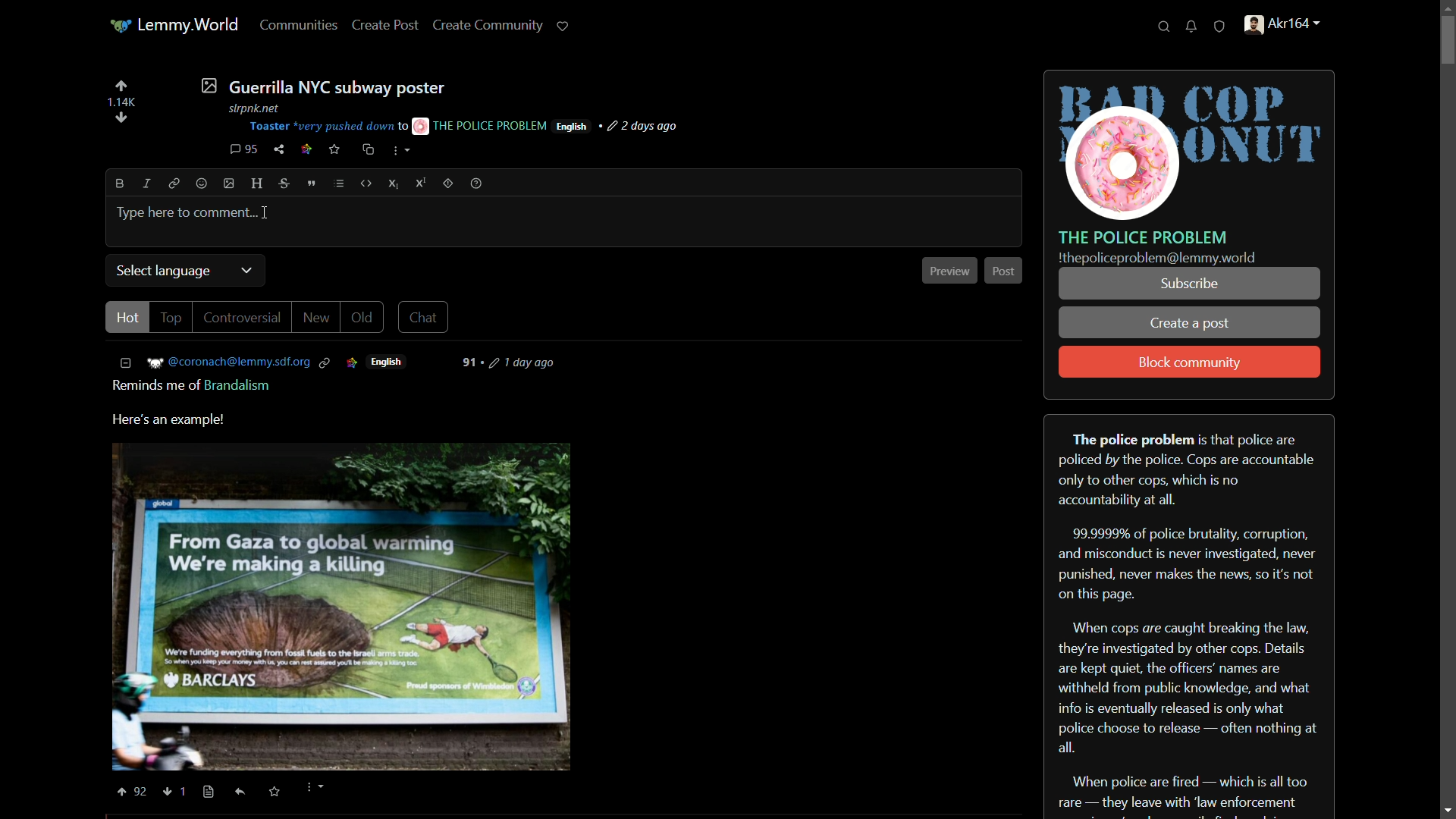  What do you see at coordinates (258, 184) in the screenshot?
I see `header` at bounding box center [258, 184].